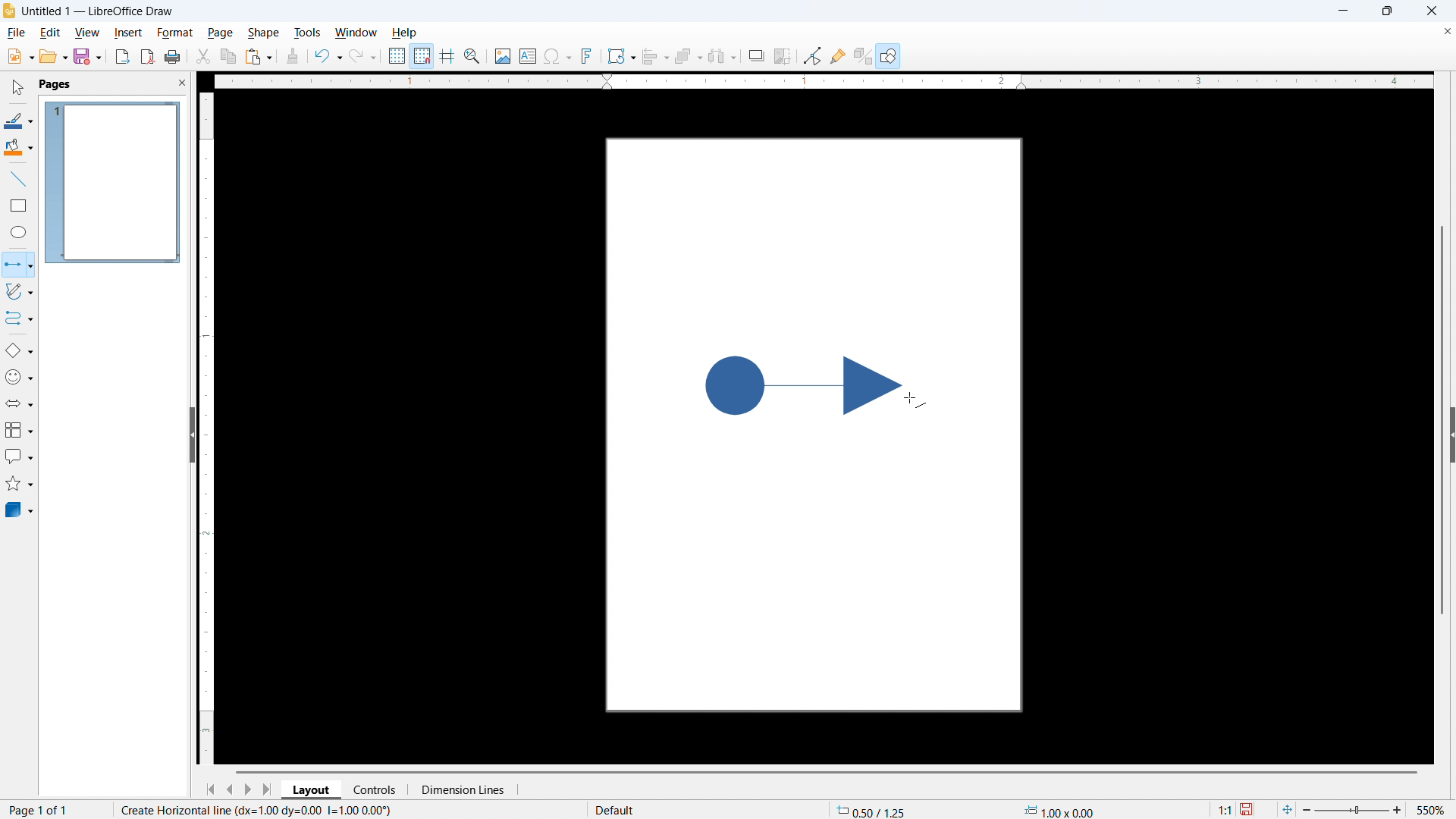 Image resolution: width=1456 pixels, height=819 pixels. What do you see at coordinates (1250, 805) in the screenshot?
I see `save ` at bounding box center [1250, 805].